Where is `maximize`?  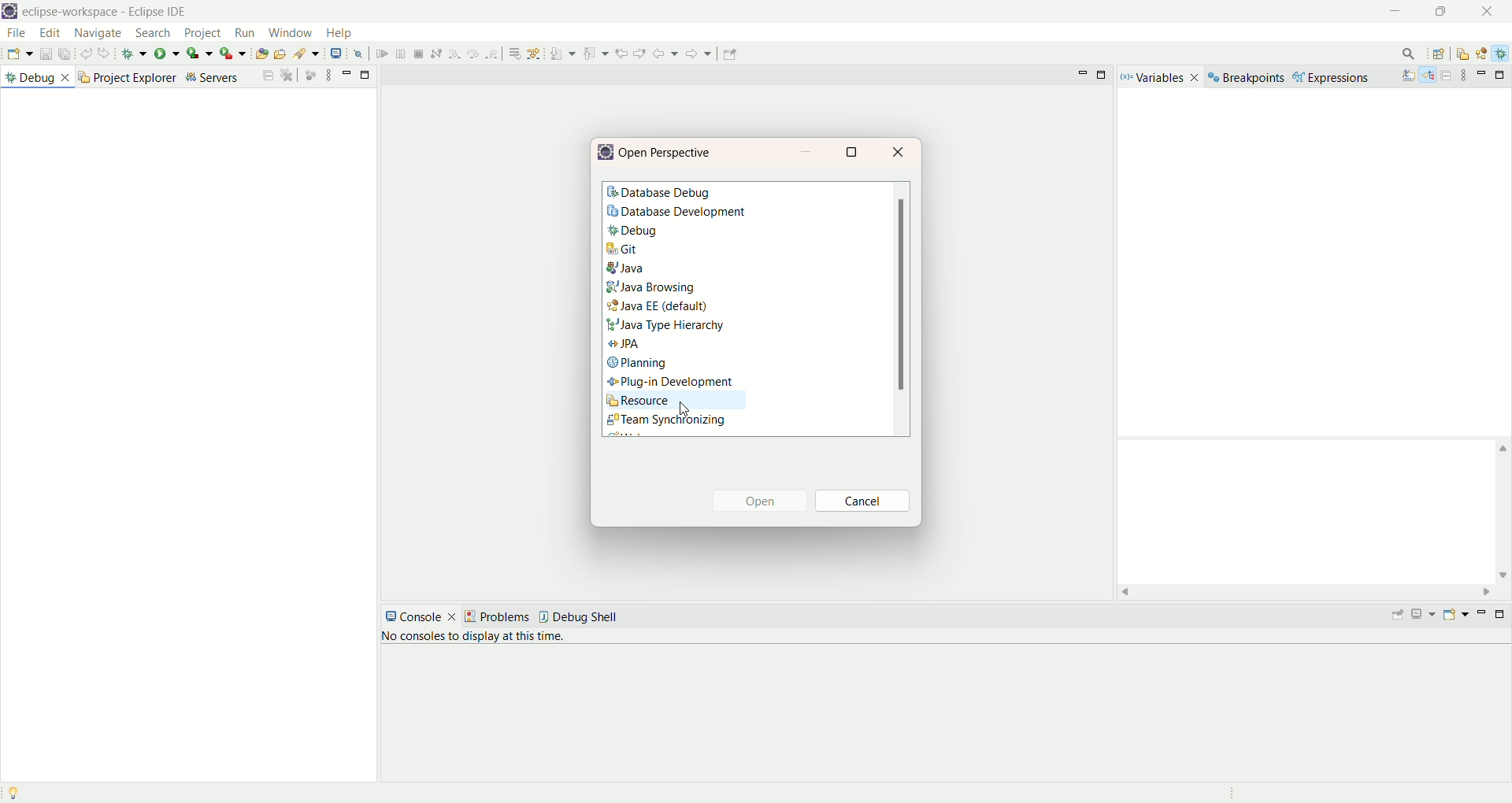 maximize is located at coordinates (365, 73).